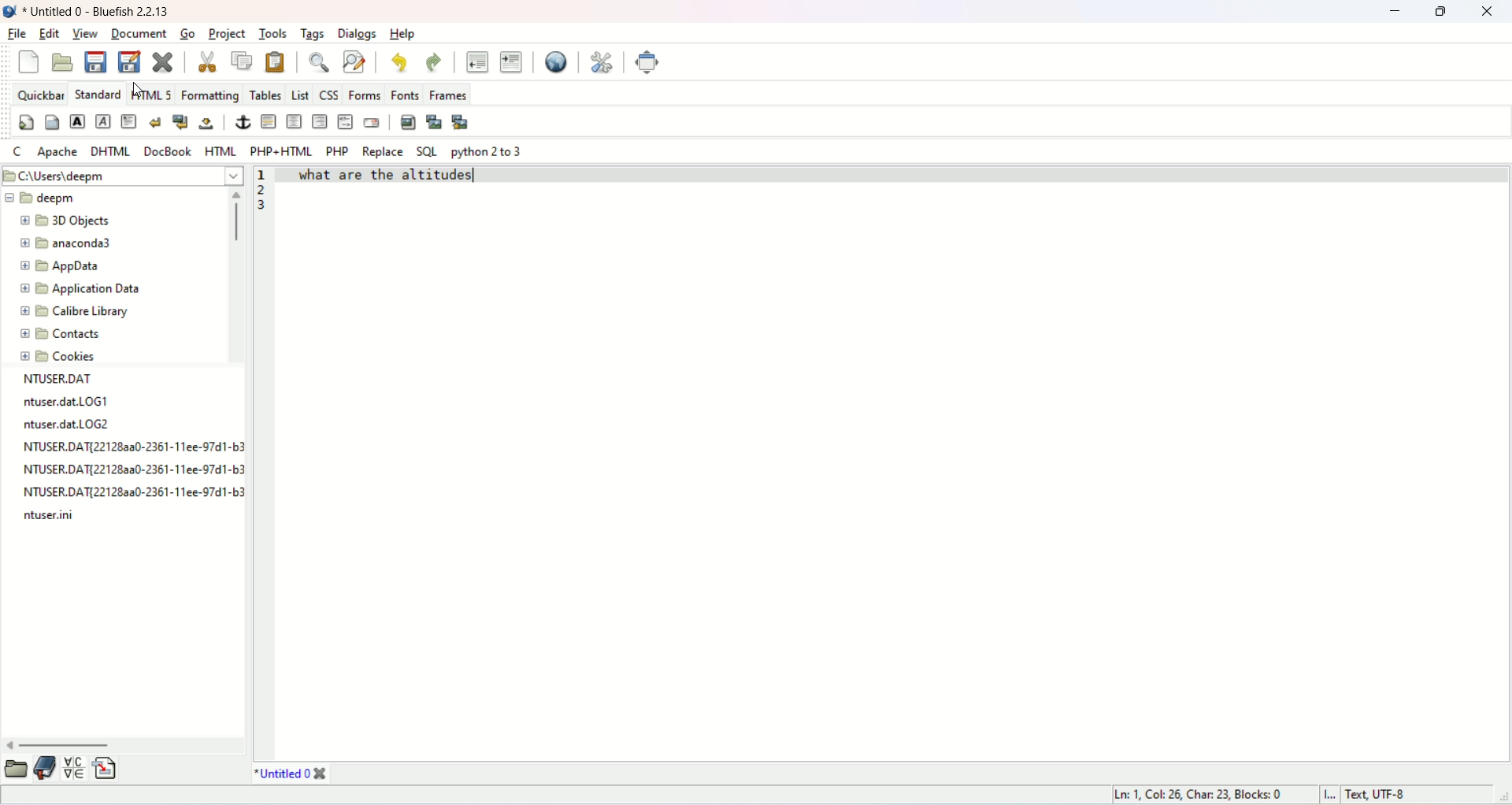 Image resolution: width=1512 pixels, height=805 pixels. Describe the element at coordinates (273, 33) in the screenshot. I see `tools` at that location.